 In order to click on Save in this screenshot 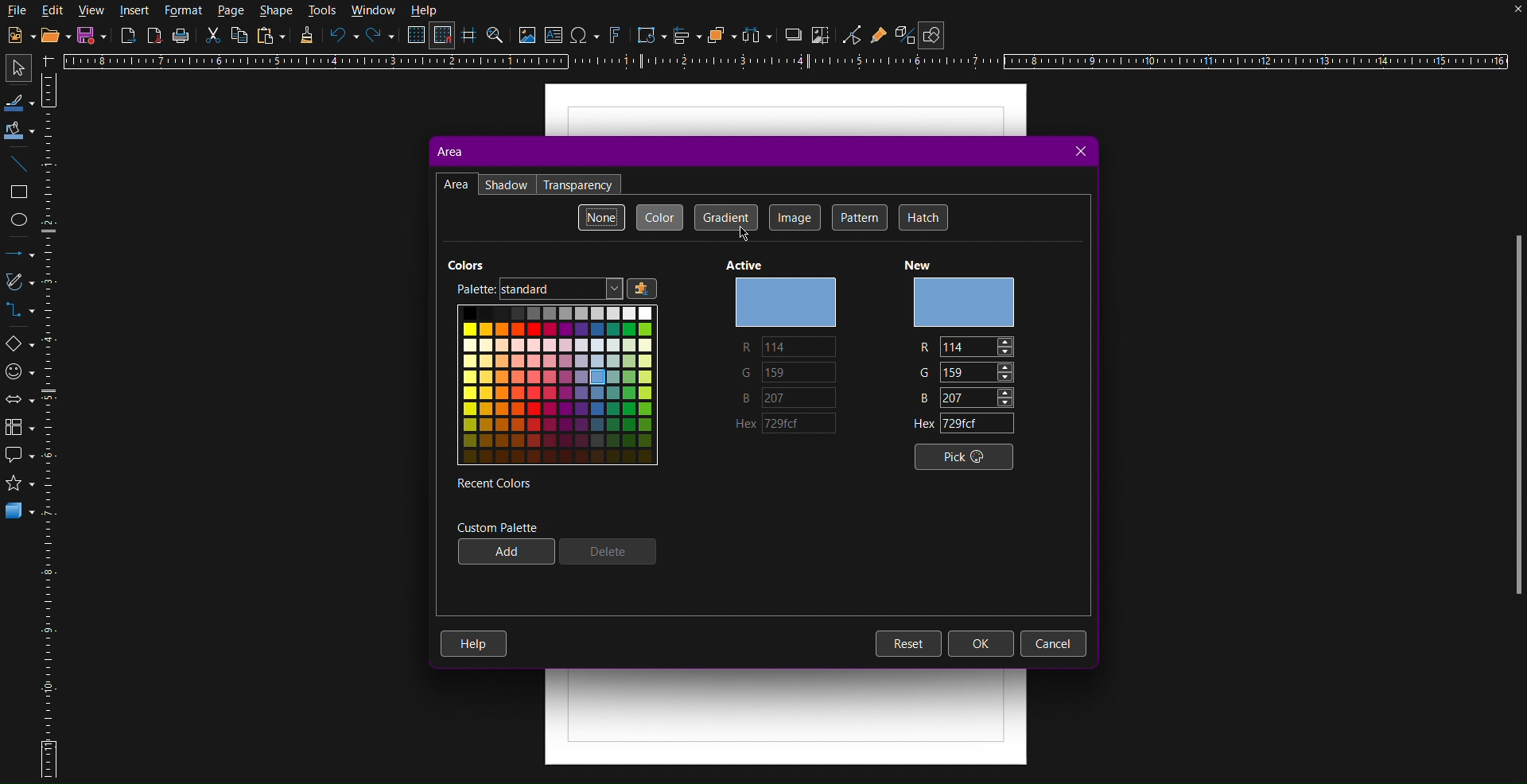, I will do `click(92, 35)`.